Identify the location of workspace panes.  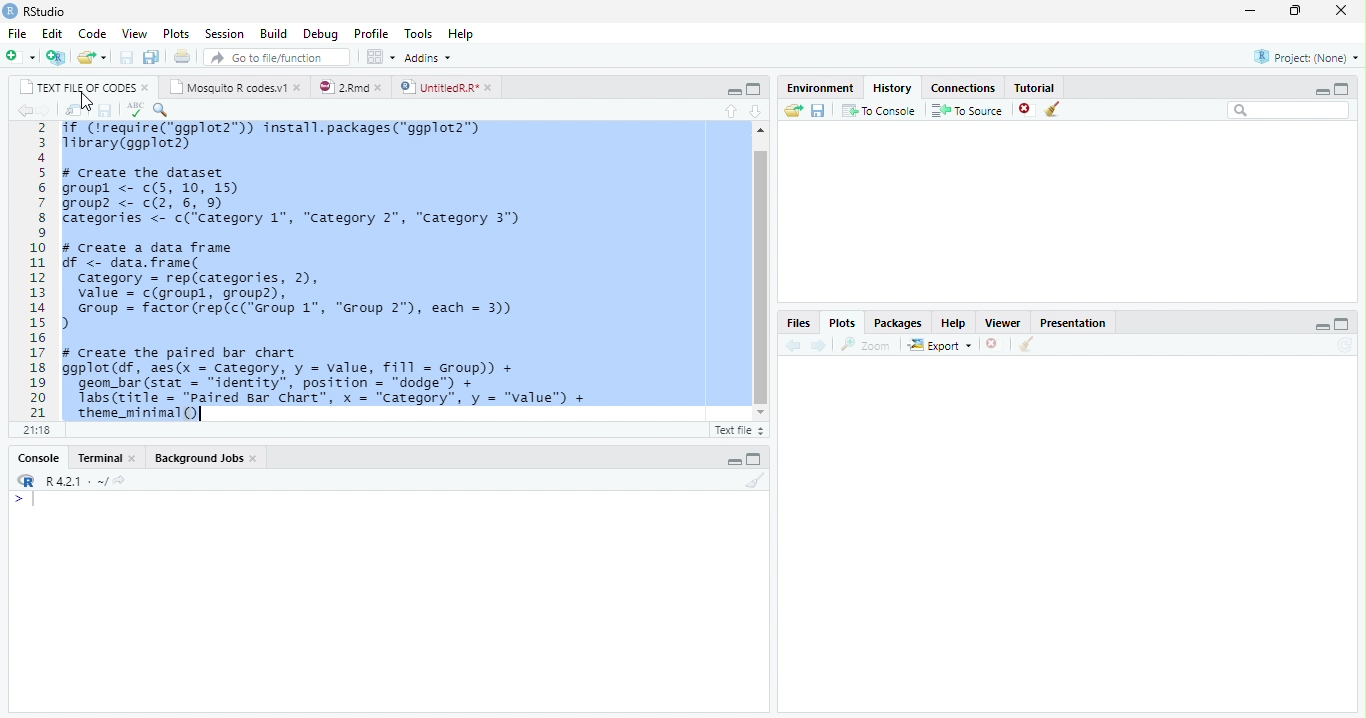
(378, 58).